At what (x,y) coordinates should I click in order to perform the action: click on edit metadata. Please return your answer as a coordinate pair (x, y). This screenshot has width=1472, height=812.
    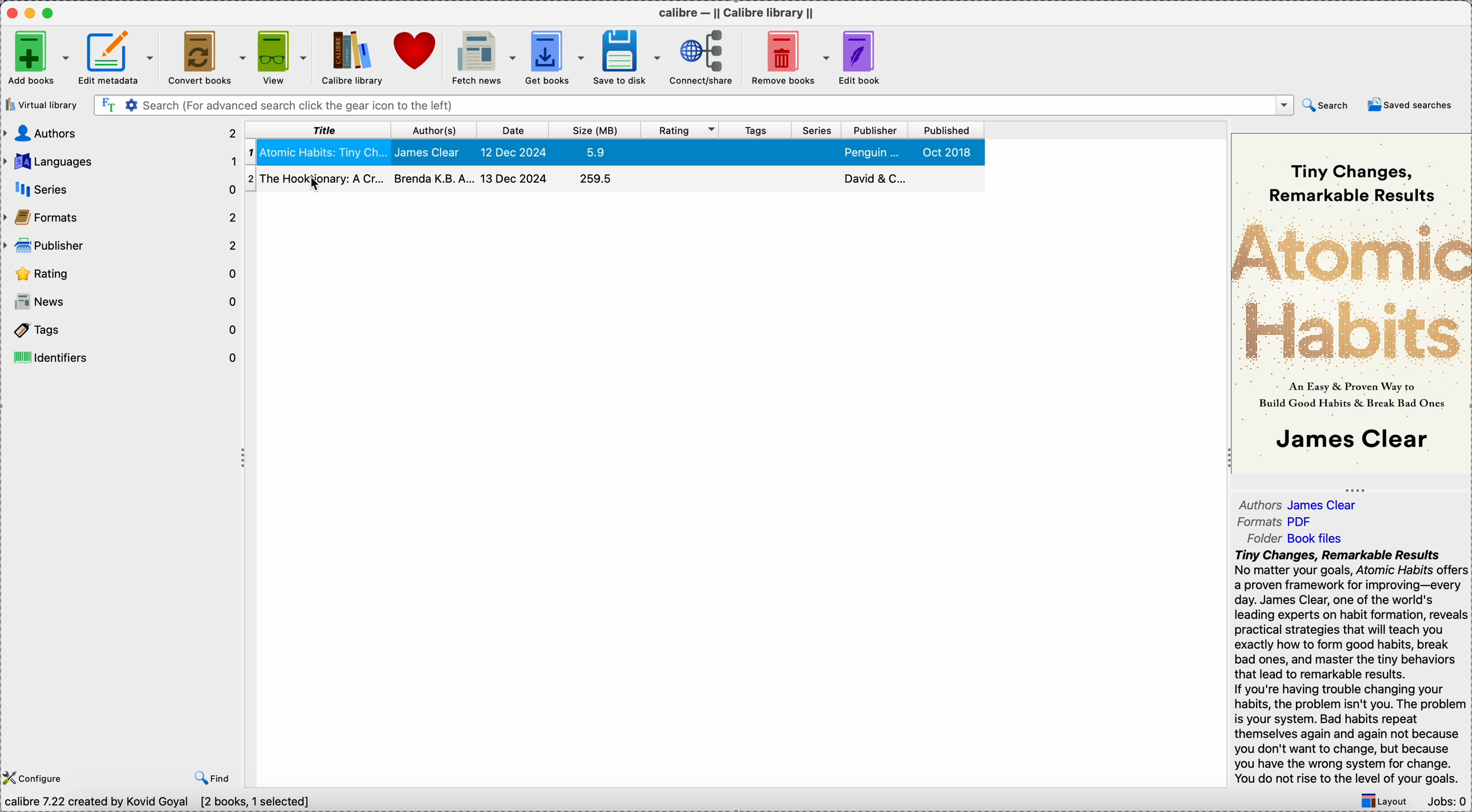
    Looking at the image, I should click on (121, 58).